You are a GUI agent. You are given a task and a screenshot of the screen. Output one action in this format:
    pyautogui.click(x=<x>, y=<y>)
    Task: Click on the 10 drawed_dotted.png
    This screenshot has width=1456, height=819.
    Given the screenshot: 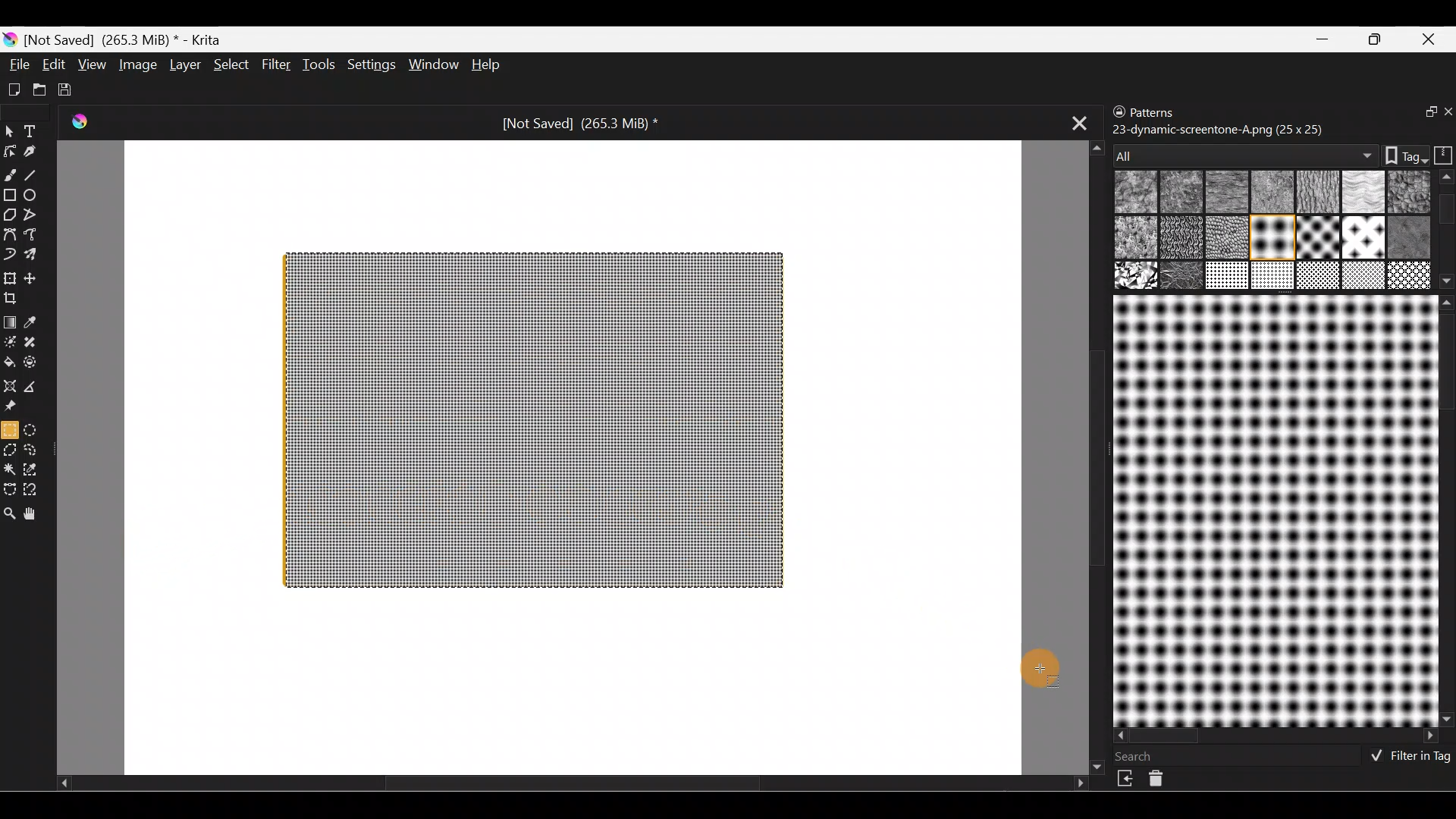 What is the action you would take?
    pyautogui.click(x=1270, y=240)
    